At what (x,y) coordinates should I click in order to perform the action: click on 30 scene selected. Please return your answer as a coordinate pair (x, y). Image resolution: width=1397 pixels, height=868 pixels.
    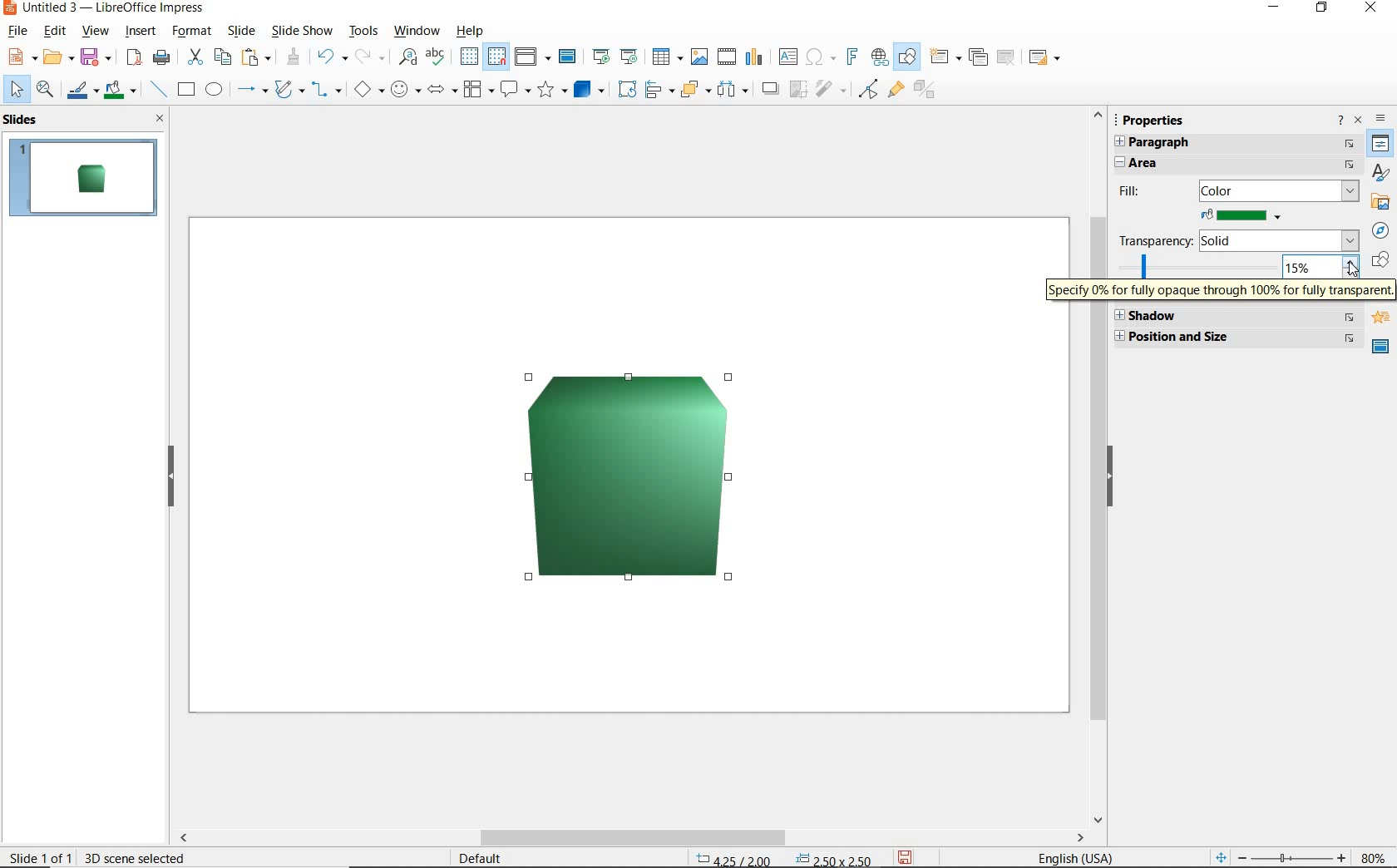
    Looking at the image, I should click on (136, 858).